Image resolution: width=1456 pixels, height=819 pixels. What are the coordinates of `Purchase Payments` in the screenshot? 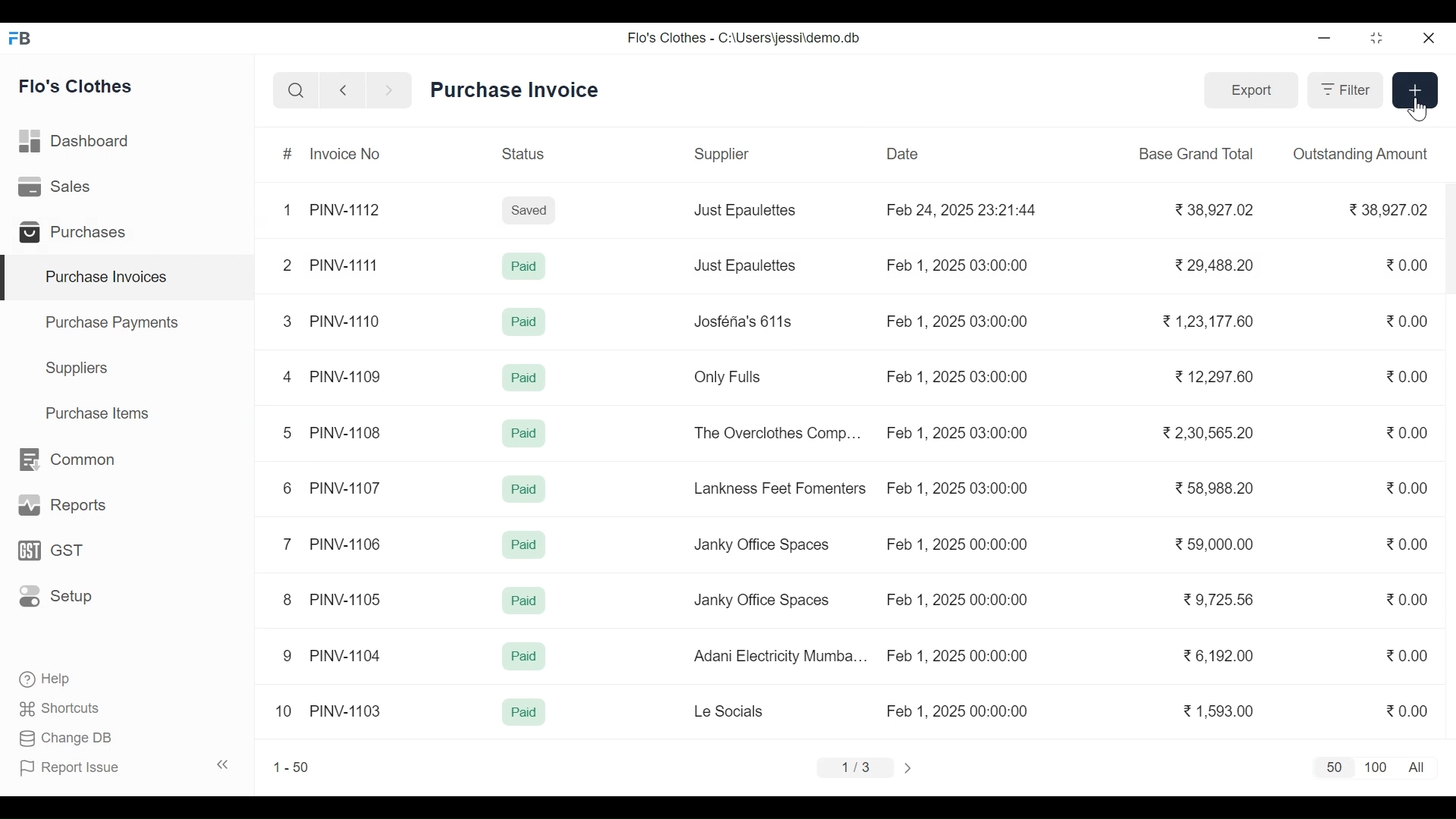 It's located at (111, 322).